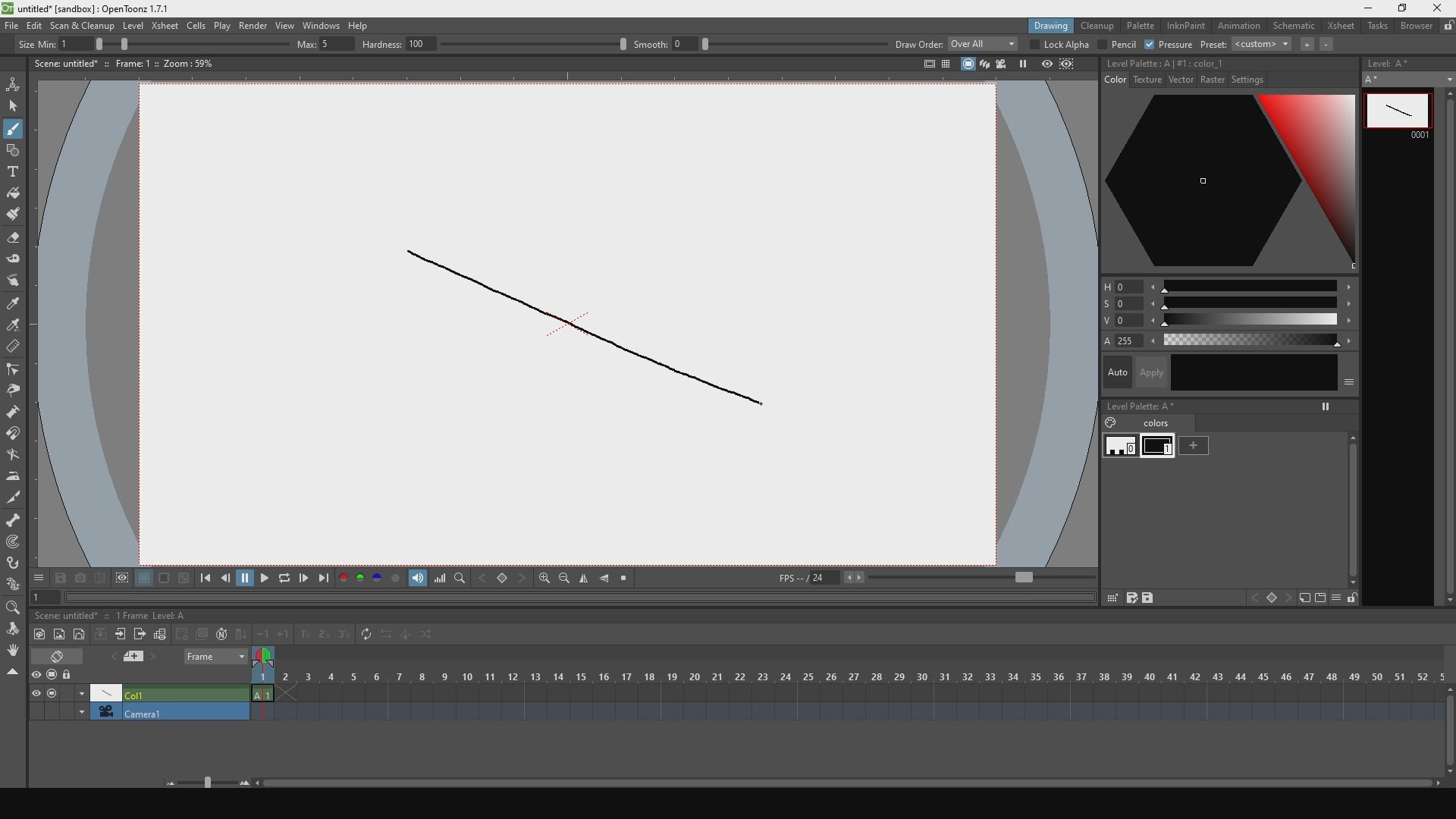  Describe the element at coordinates (1296, 27) in the screenshot. I see `schematic` at that location.